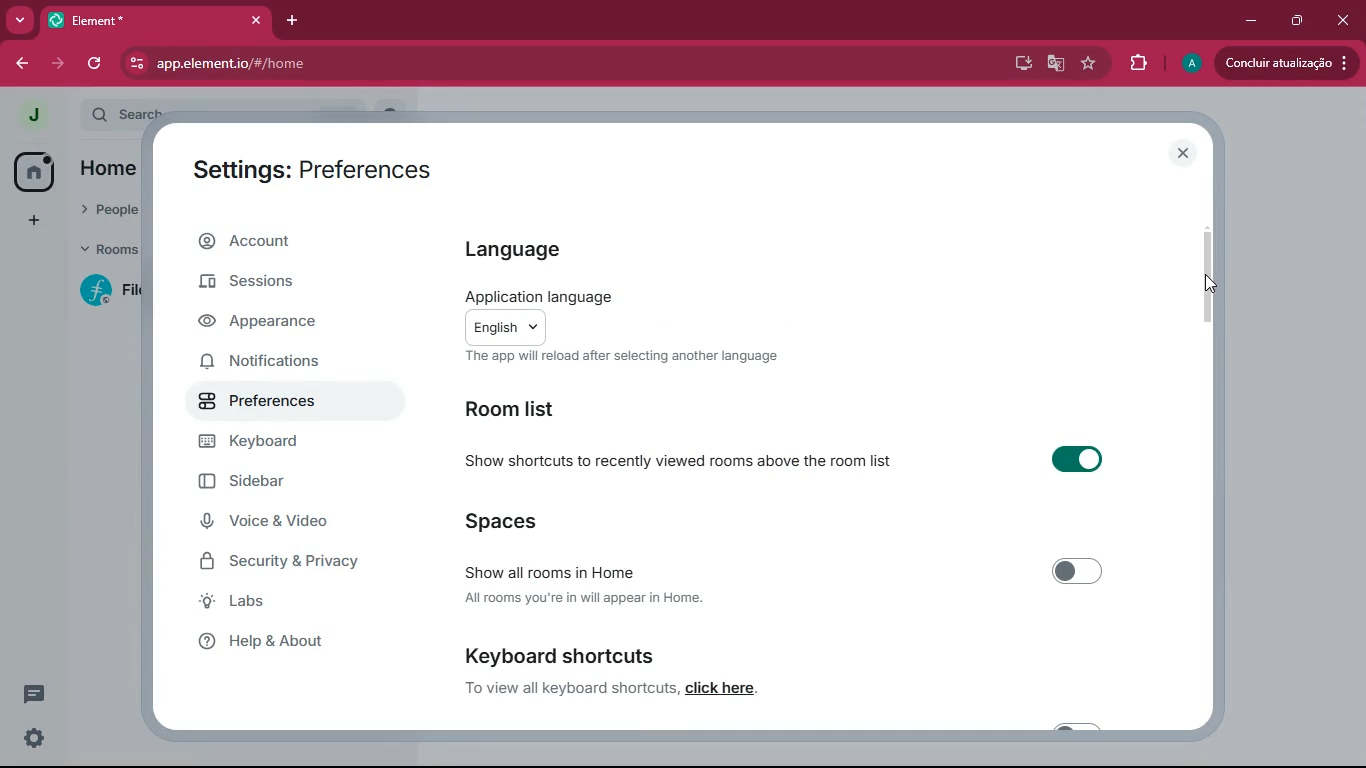  What do you see at coordinates (723, 688) in the screenshot?
I see `click here.` at bounding box center [723, 688].